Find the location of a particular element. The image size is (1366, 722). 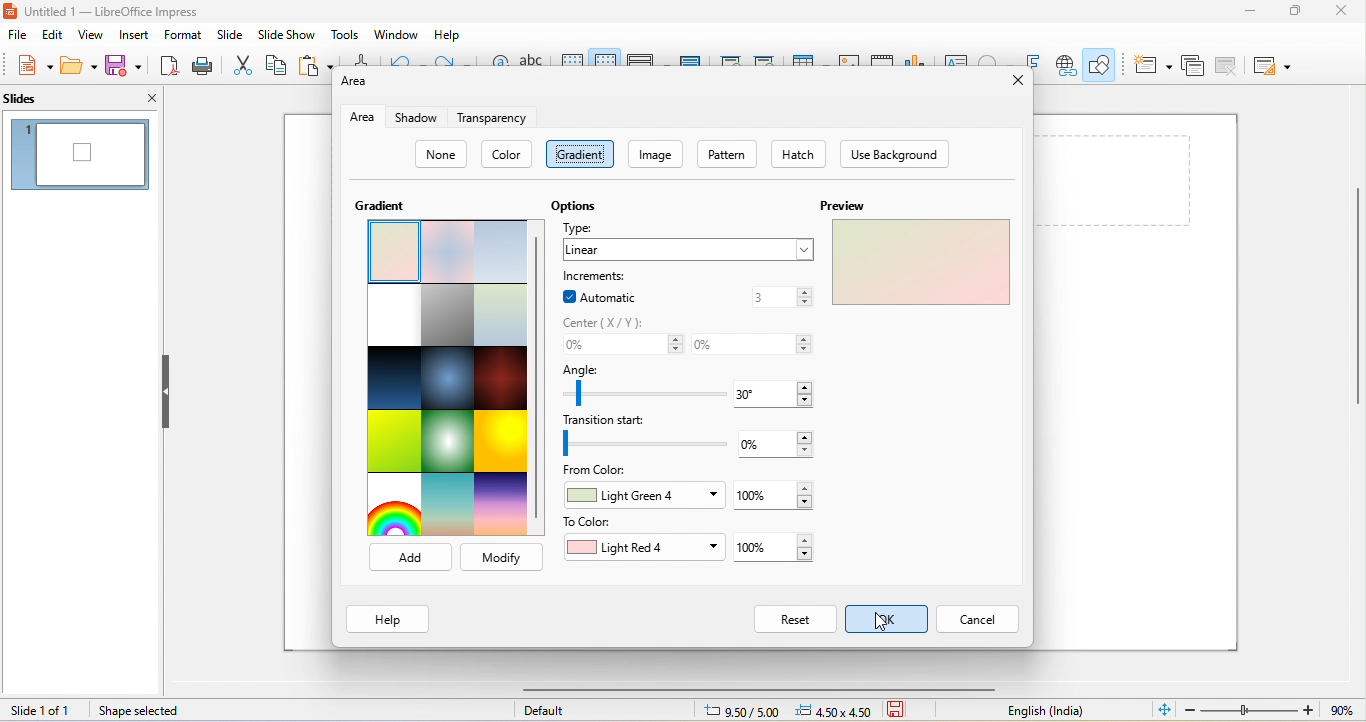

vertical scroll is located at coordinates (1346, 312).